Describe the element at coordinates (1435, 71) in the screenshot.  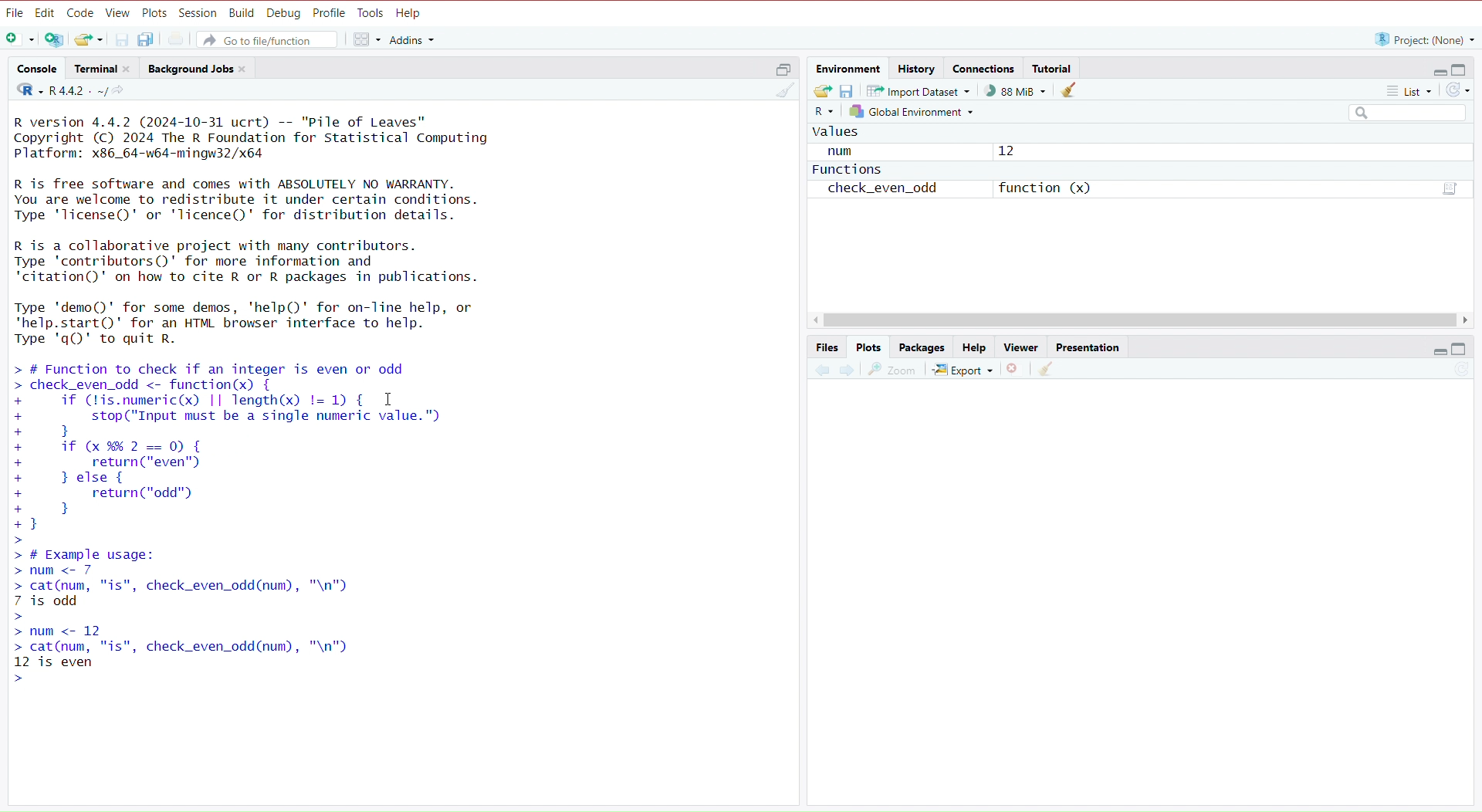
I see `expand` at that location.